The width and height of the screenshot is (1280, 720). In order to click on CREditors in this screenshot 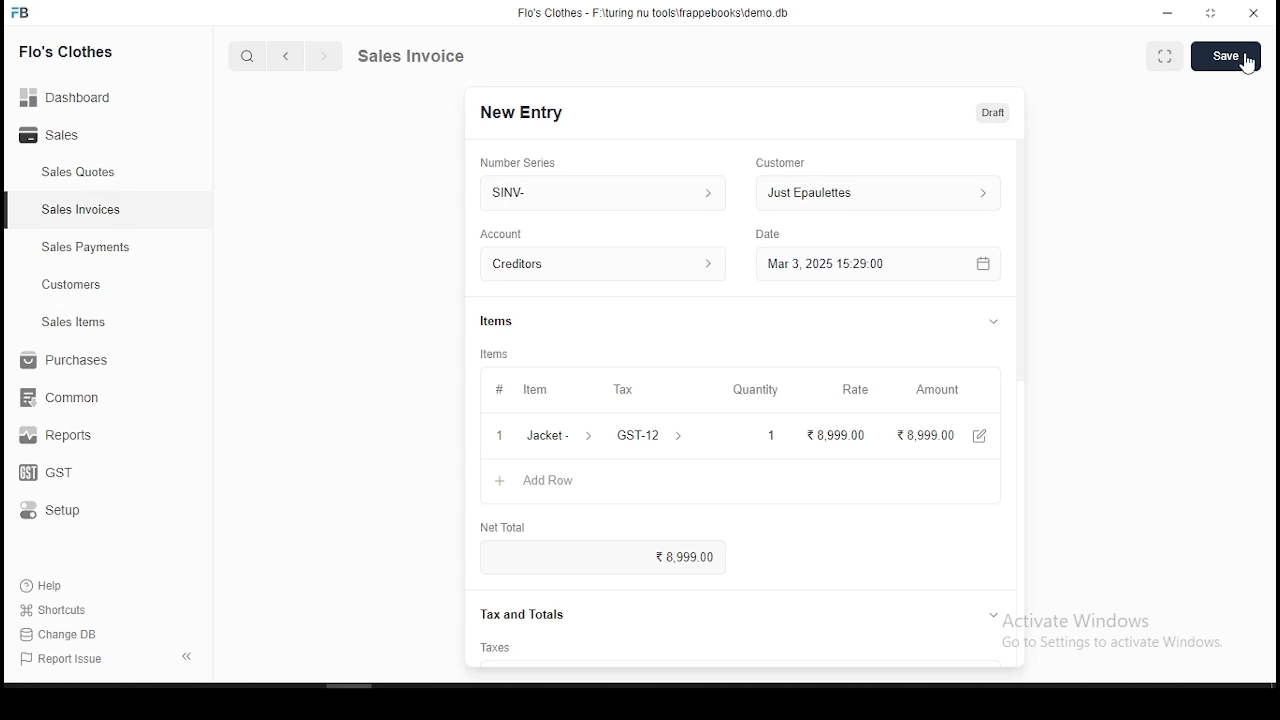, I will do `click(604, 262)`.